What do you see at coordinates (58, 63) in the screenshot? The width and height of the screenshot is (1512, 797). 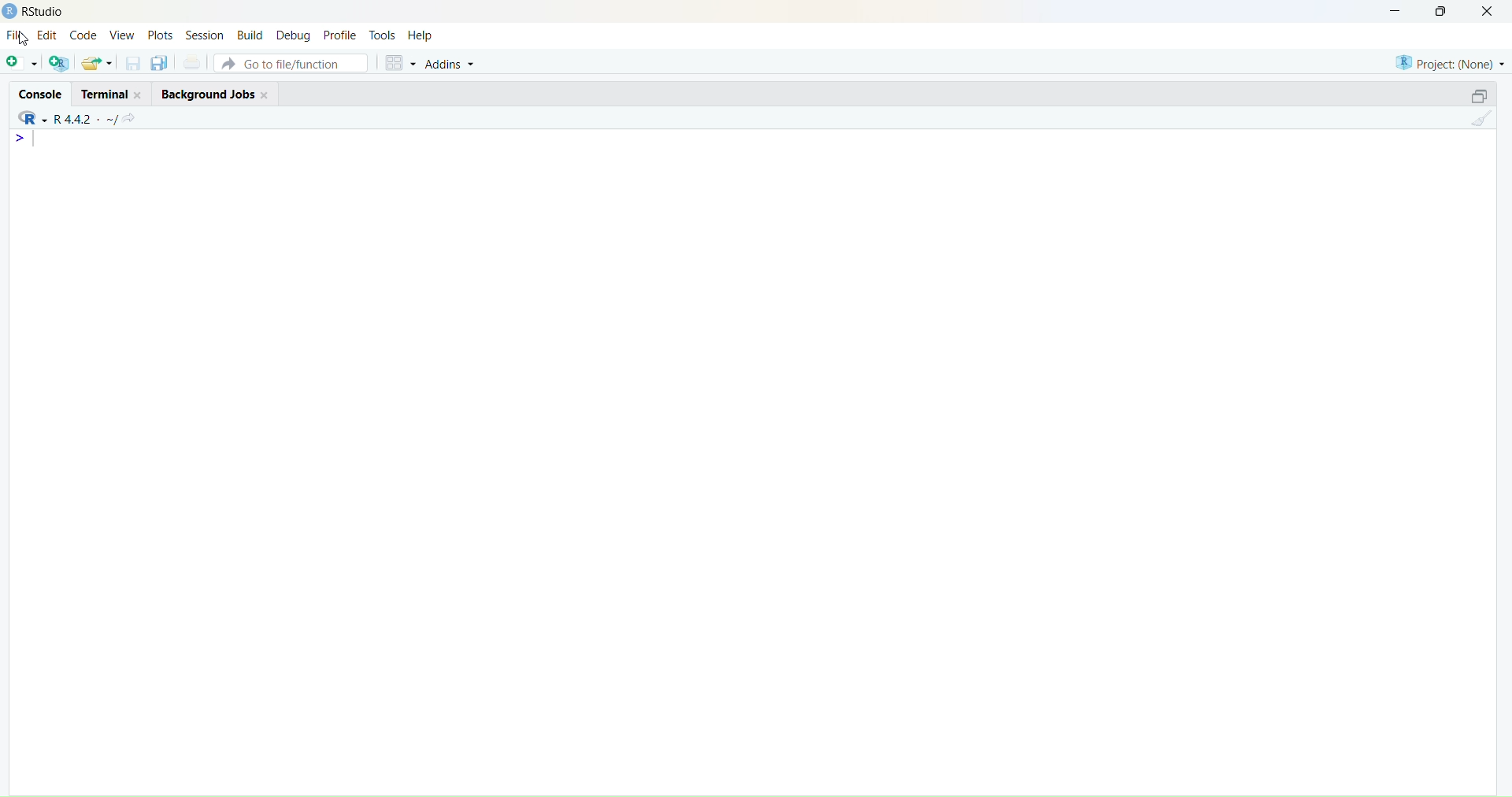 I see `Create a project` at bounding box center [58, 63].